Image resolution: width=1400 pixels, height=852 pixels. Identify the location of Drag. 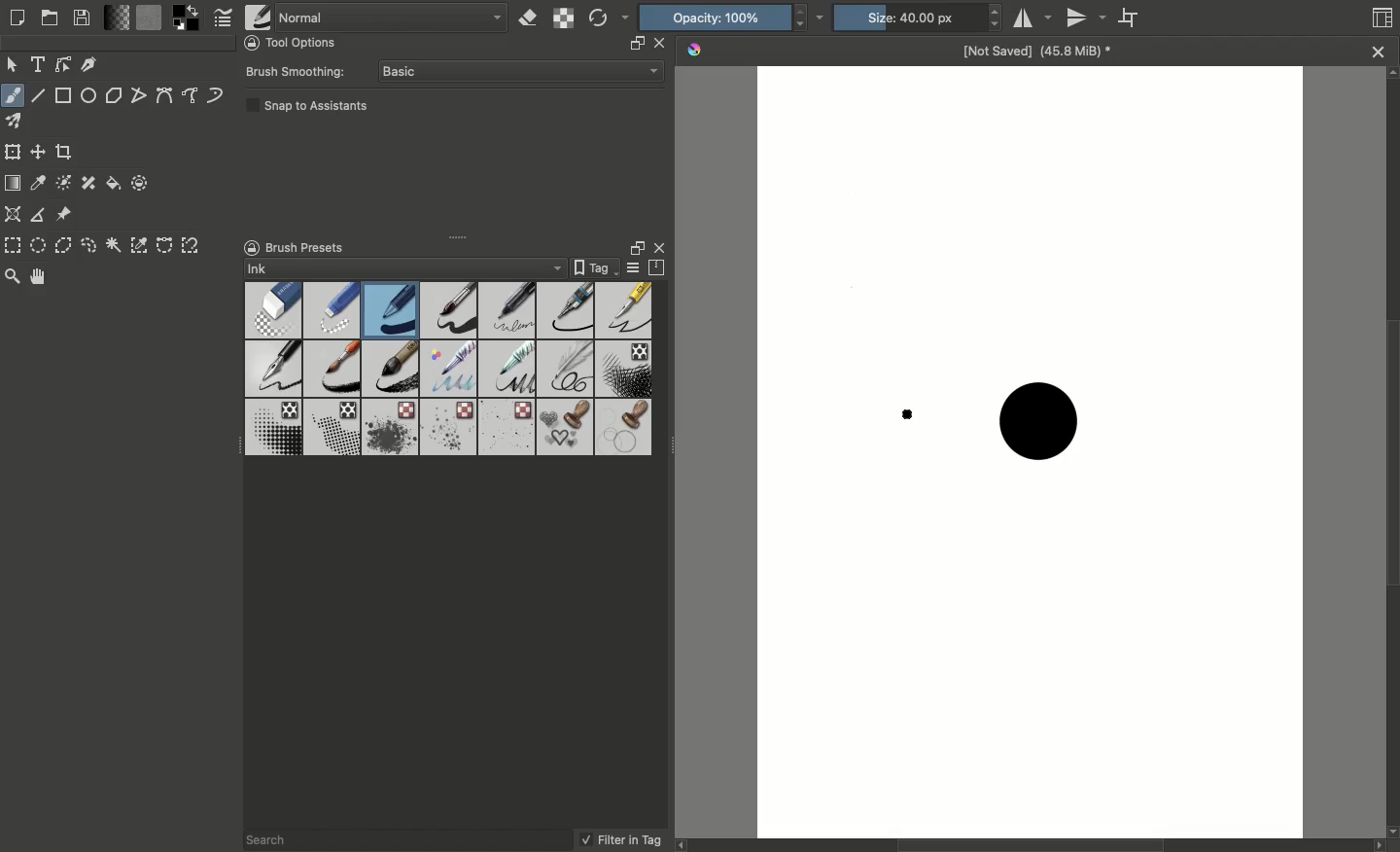
(463, 235).